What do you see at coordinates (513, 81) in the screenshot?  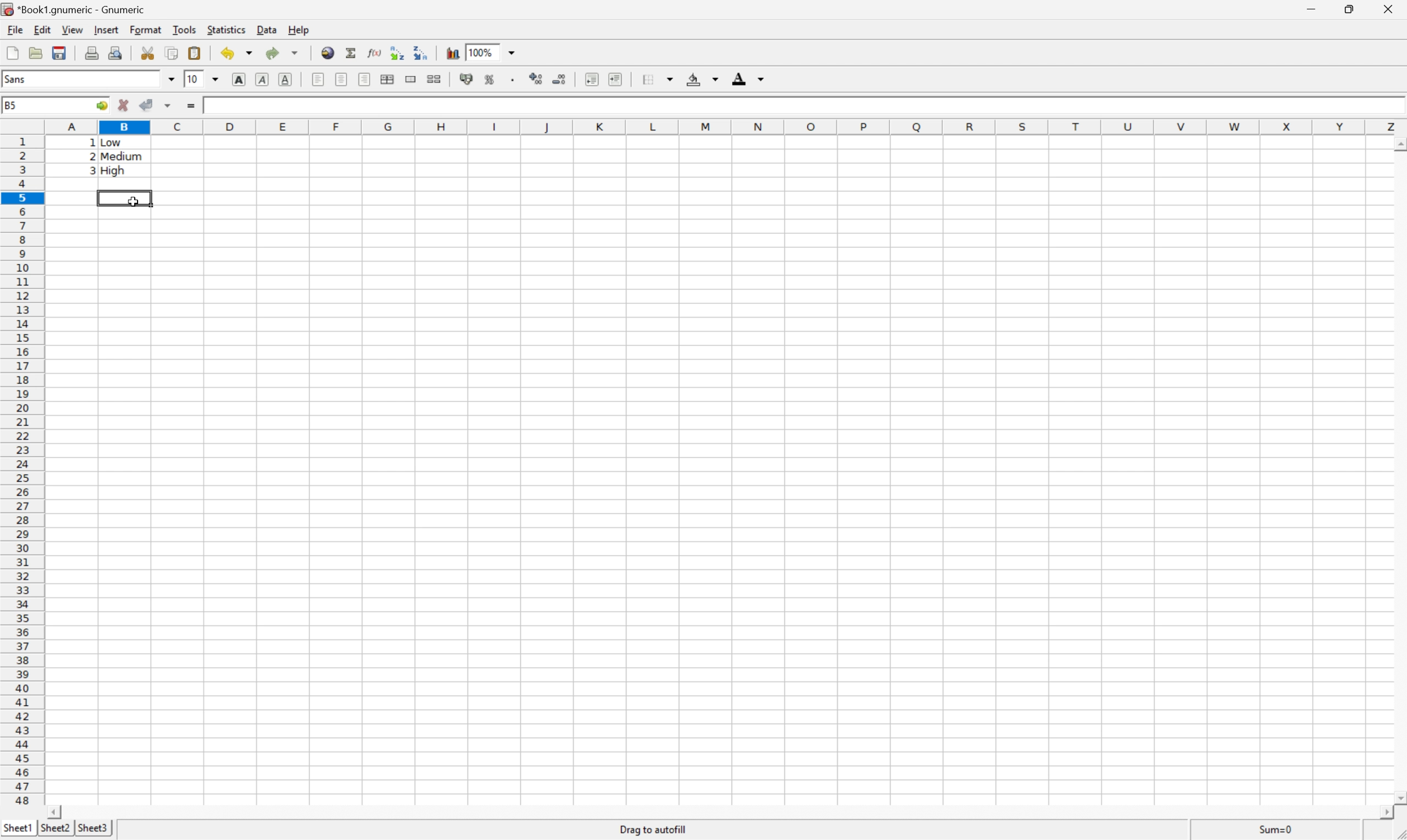 I see `Set the format of the selected cells to include a thousands separator` at bounding box center [513, 81].